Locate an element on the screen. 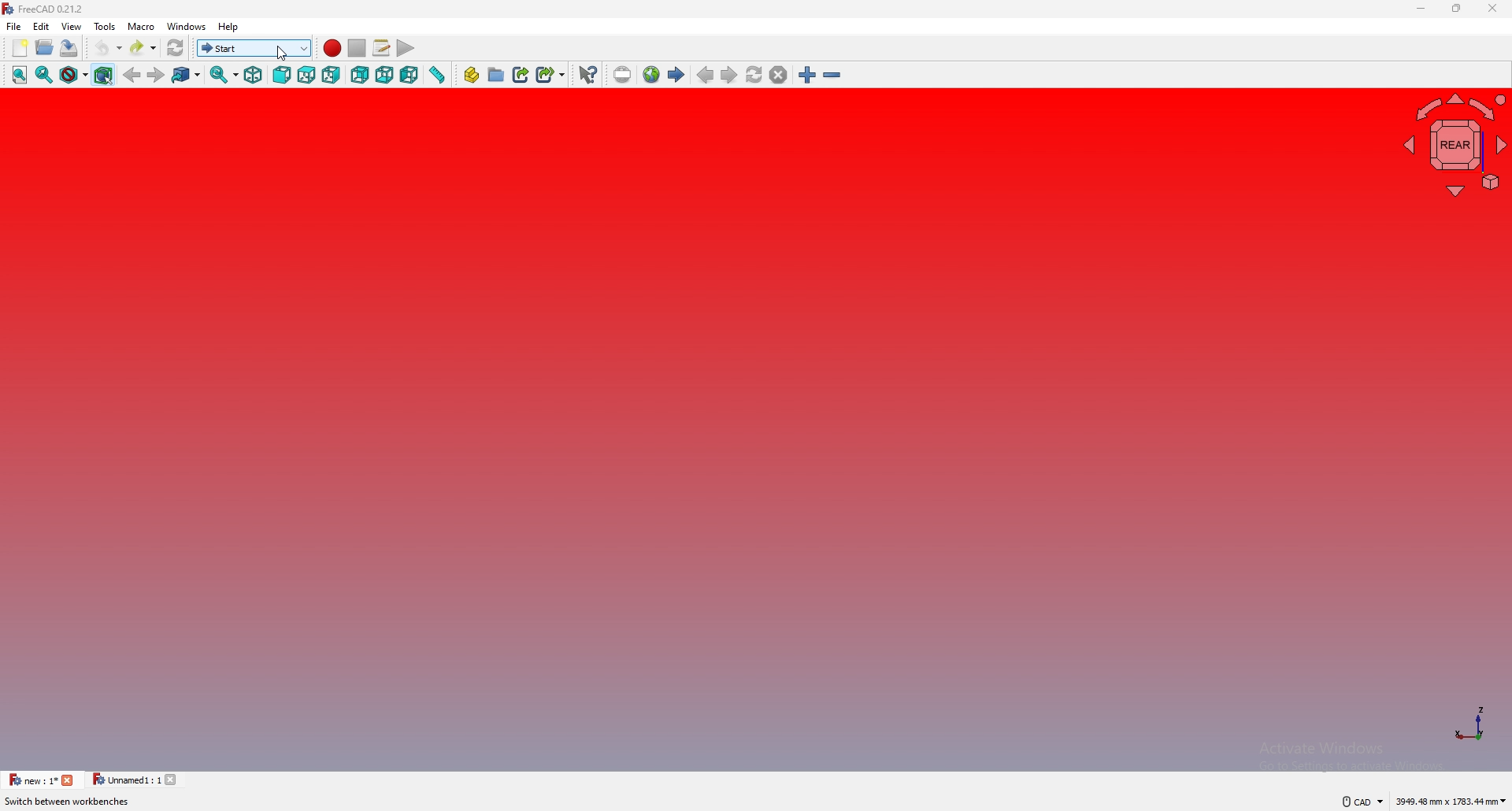  help is located at coordinates (230, 28).